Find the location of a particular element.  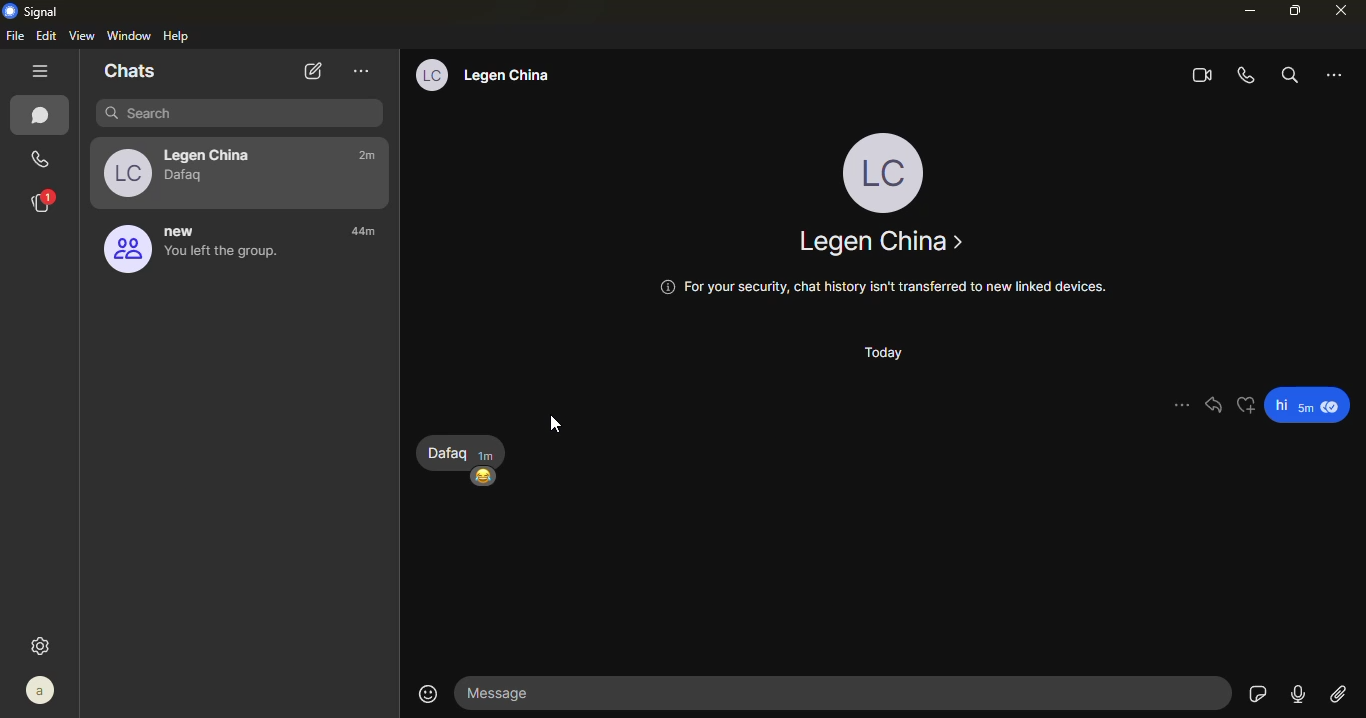

minimize is located at coordinates (1247, 11).